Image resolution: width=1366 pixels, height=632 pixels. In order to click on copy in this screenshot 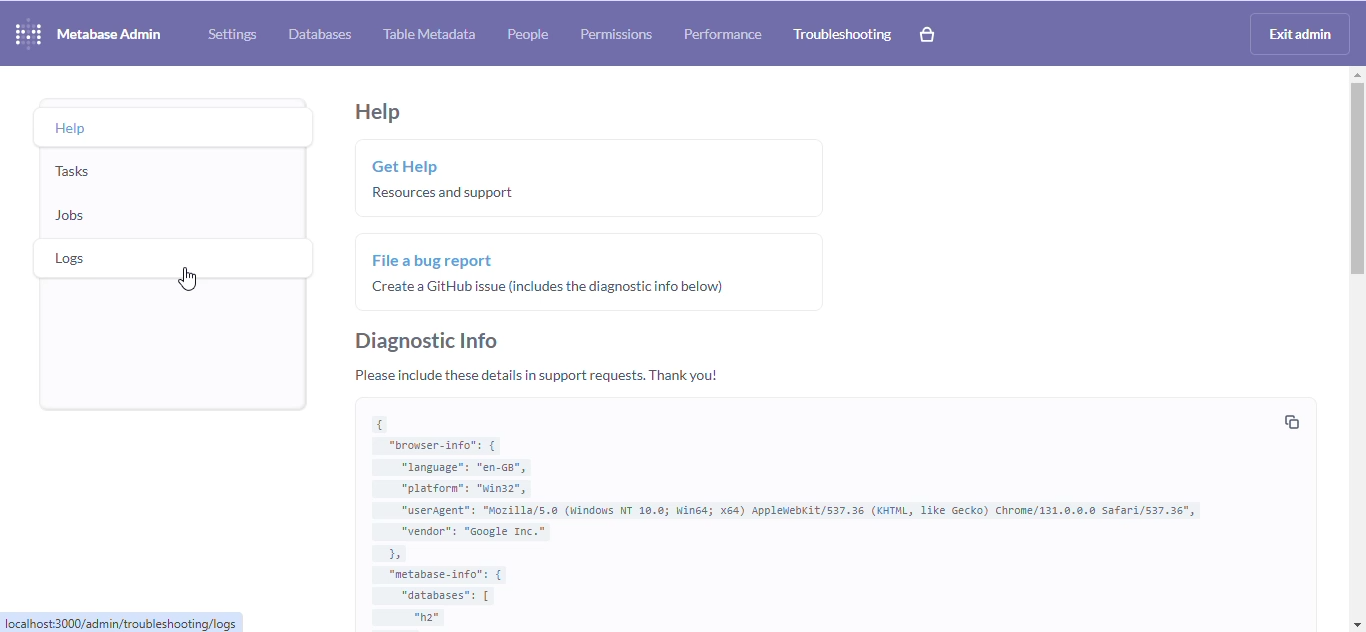, I will do `click(1293, 422)`.